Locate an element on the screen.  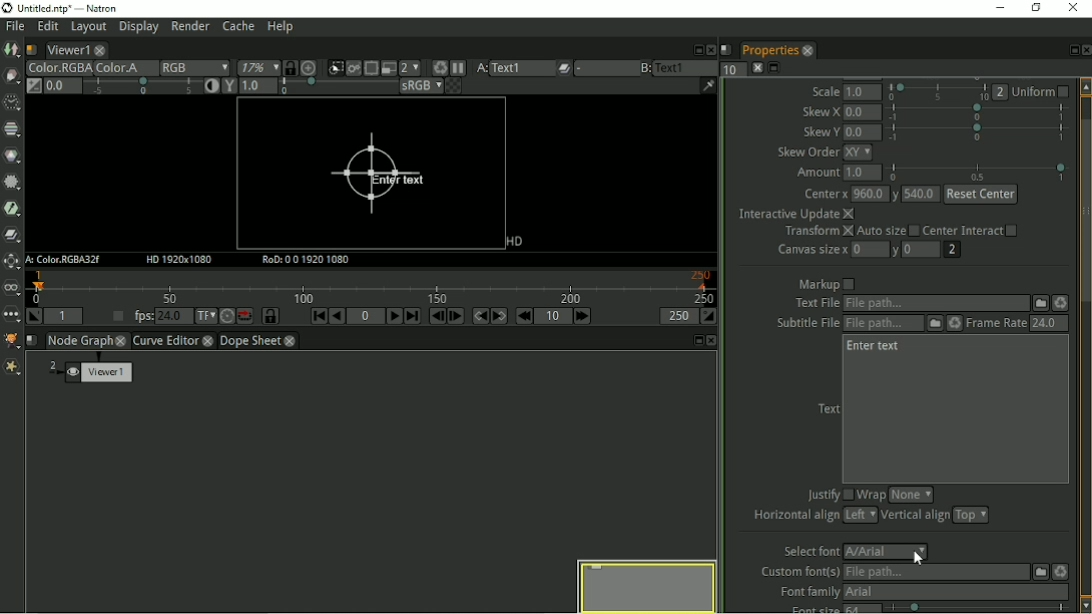
Draw is located at coordinates (11, 75).